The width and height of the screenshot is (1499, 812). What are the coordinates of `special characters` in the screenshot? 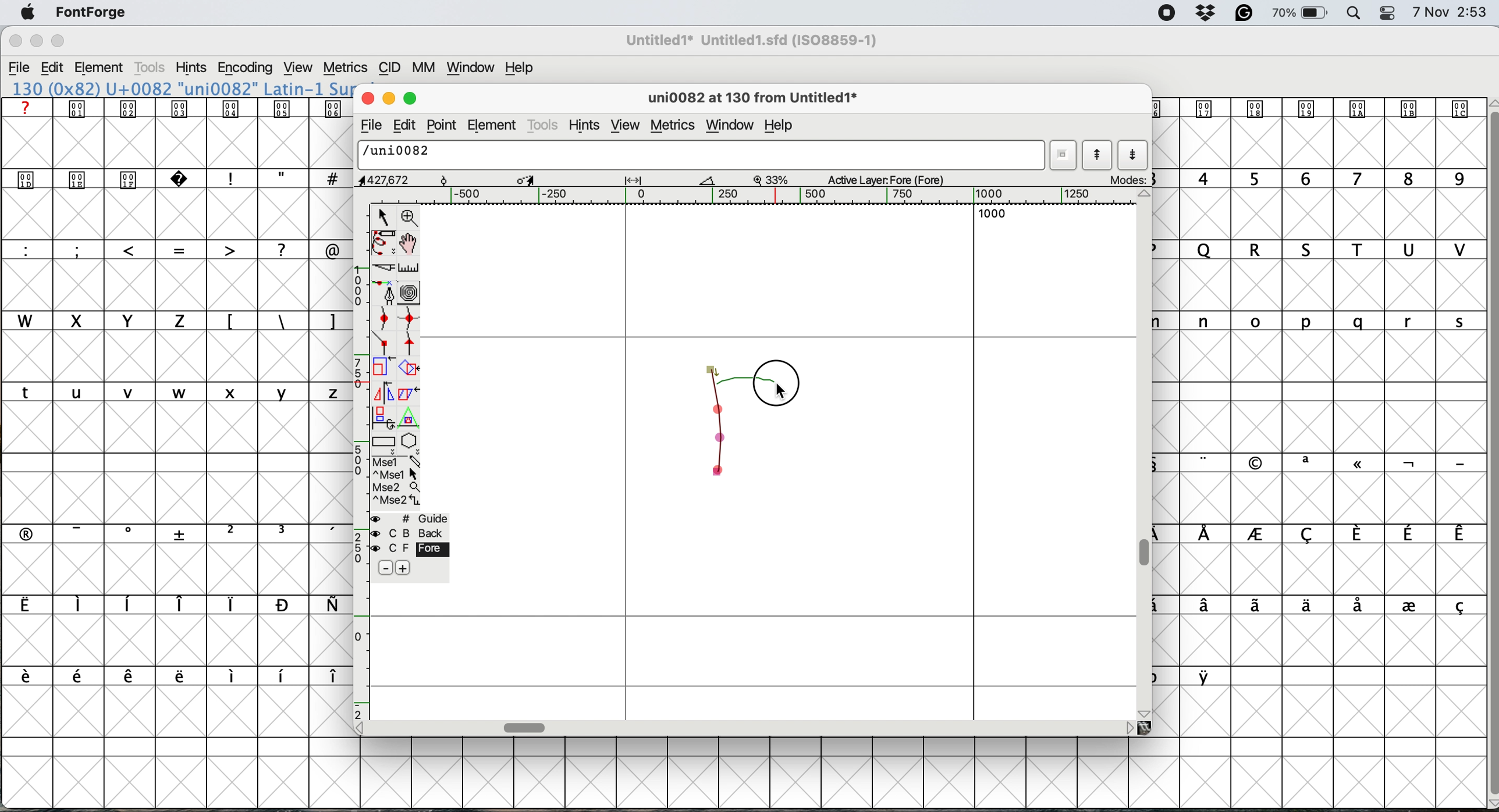 It's located at (169, 249).